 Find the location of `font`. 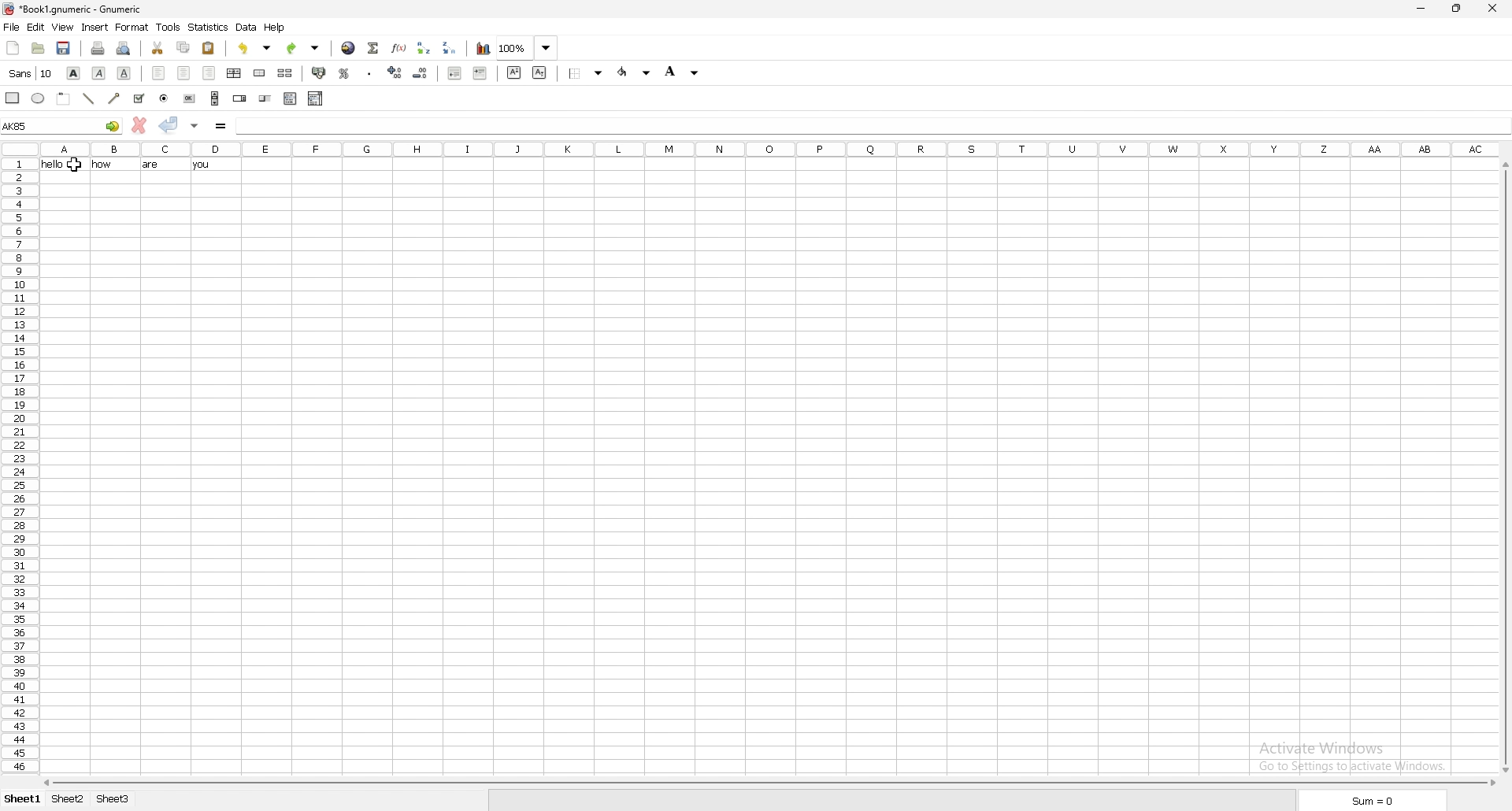

font is located at coordinates (29, 73).